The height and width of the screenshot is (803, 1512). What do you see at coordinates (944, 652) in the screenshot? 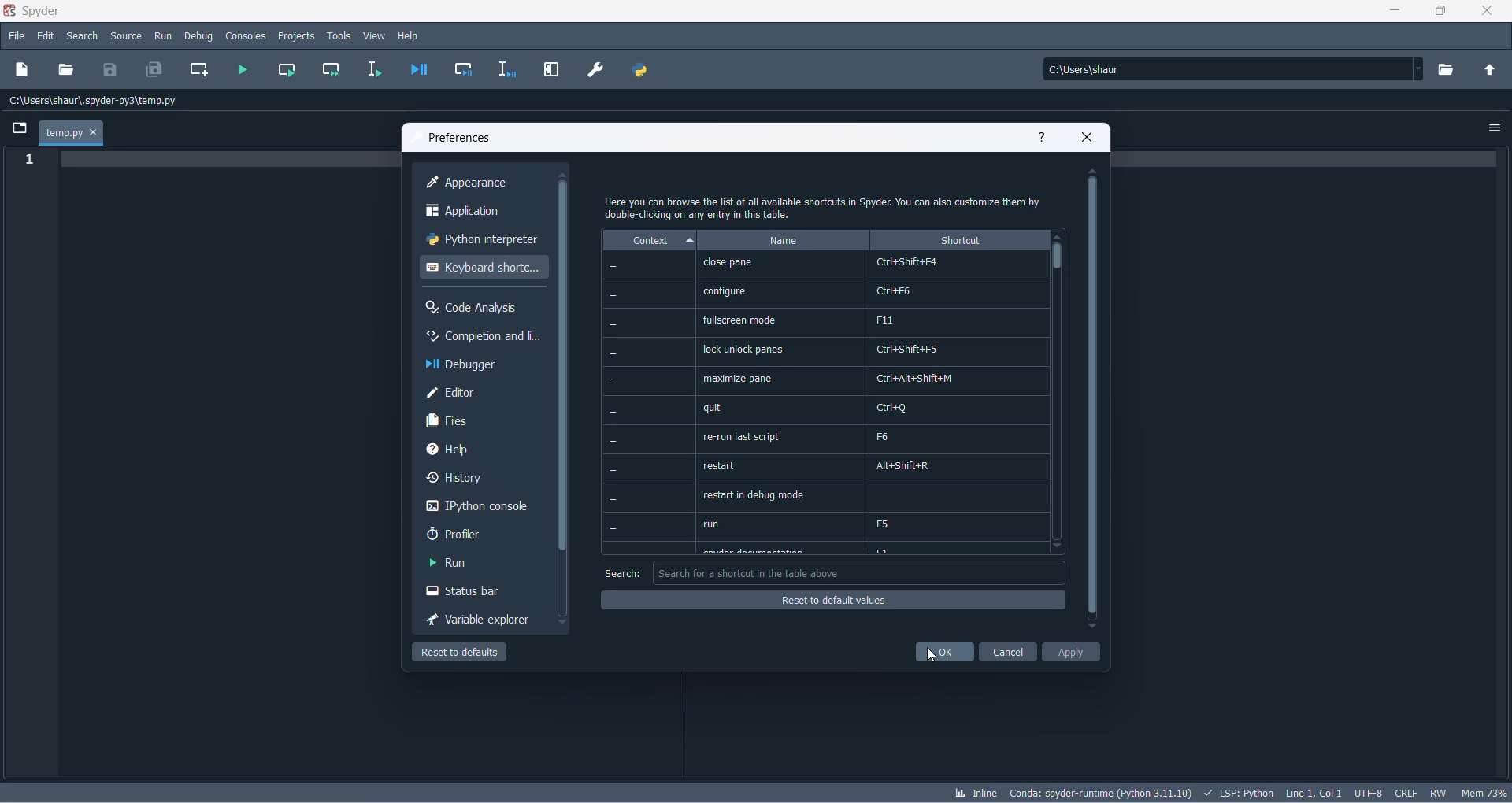
I see `ok` at bounding box center [944, 652].